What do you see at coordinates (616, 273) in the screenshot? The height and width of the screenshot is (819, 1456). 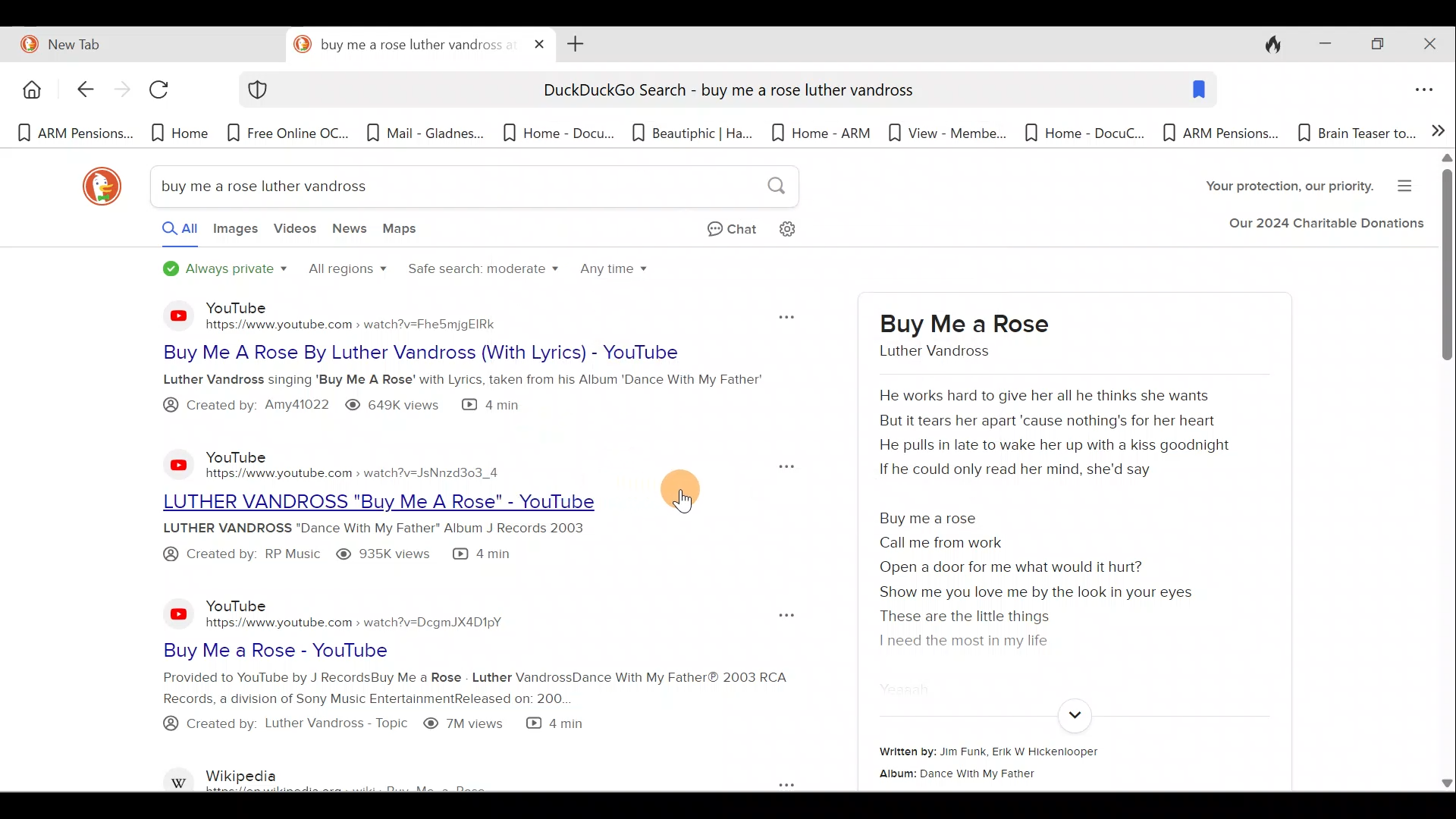 I see `Any time` at bounding box center [616, 273].